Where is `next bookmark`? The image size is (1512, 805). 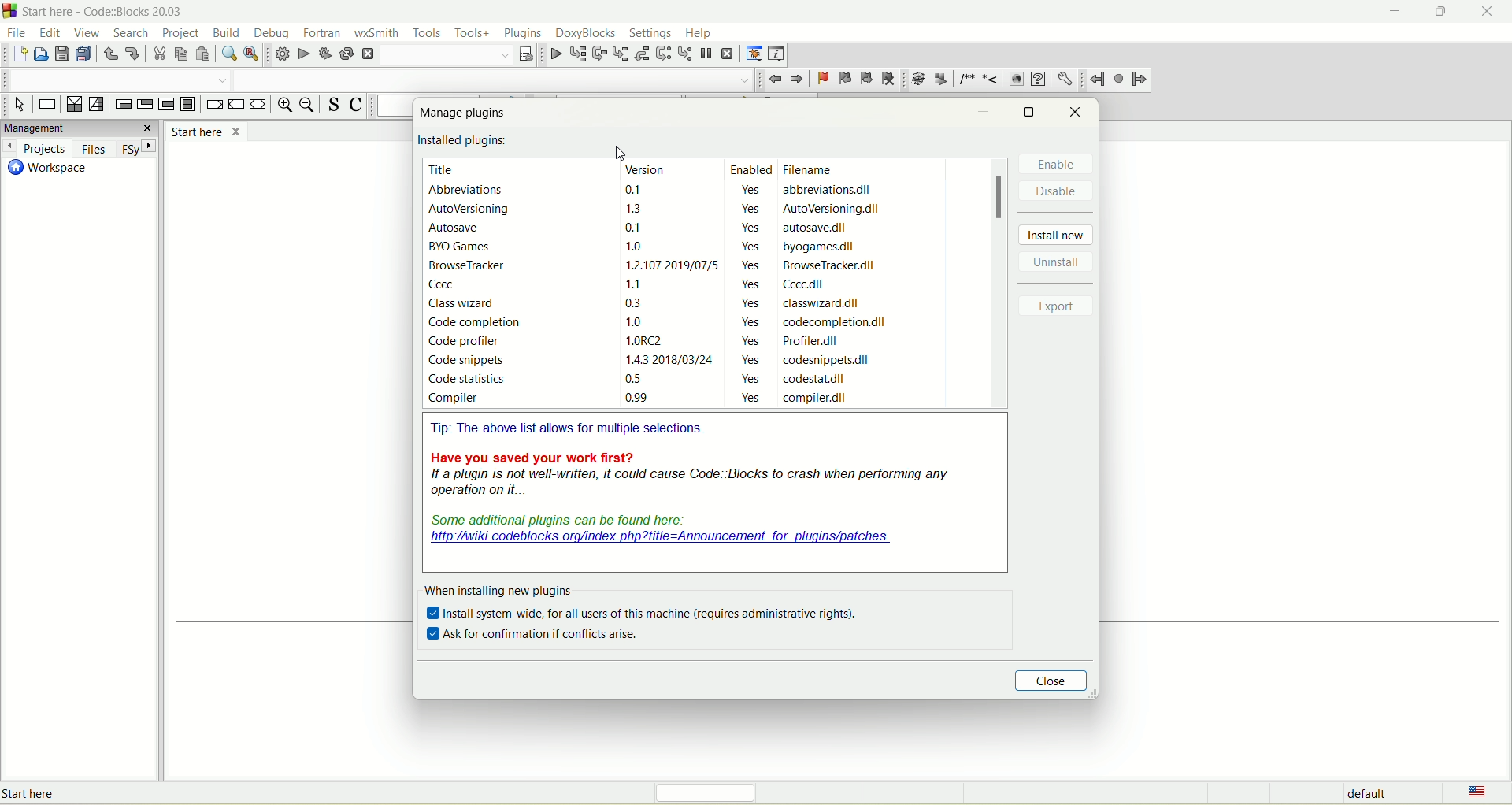
next bookmark is located at coordinates (865, 76).